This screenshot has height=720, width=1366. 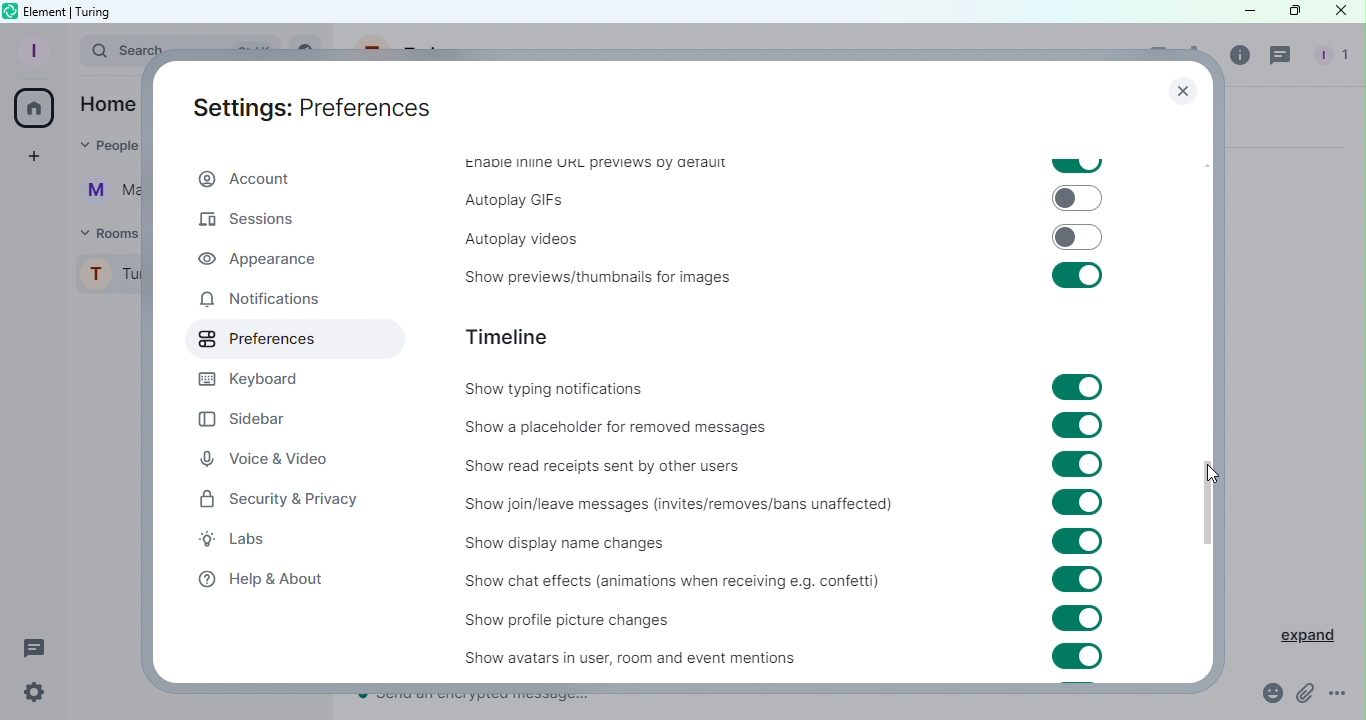 What do you see at coordinates (577, 545) in the screenshot?
I see `Show display name changes` at bounding box center [577, 545].